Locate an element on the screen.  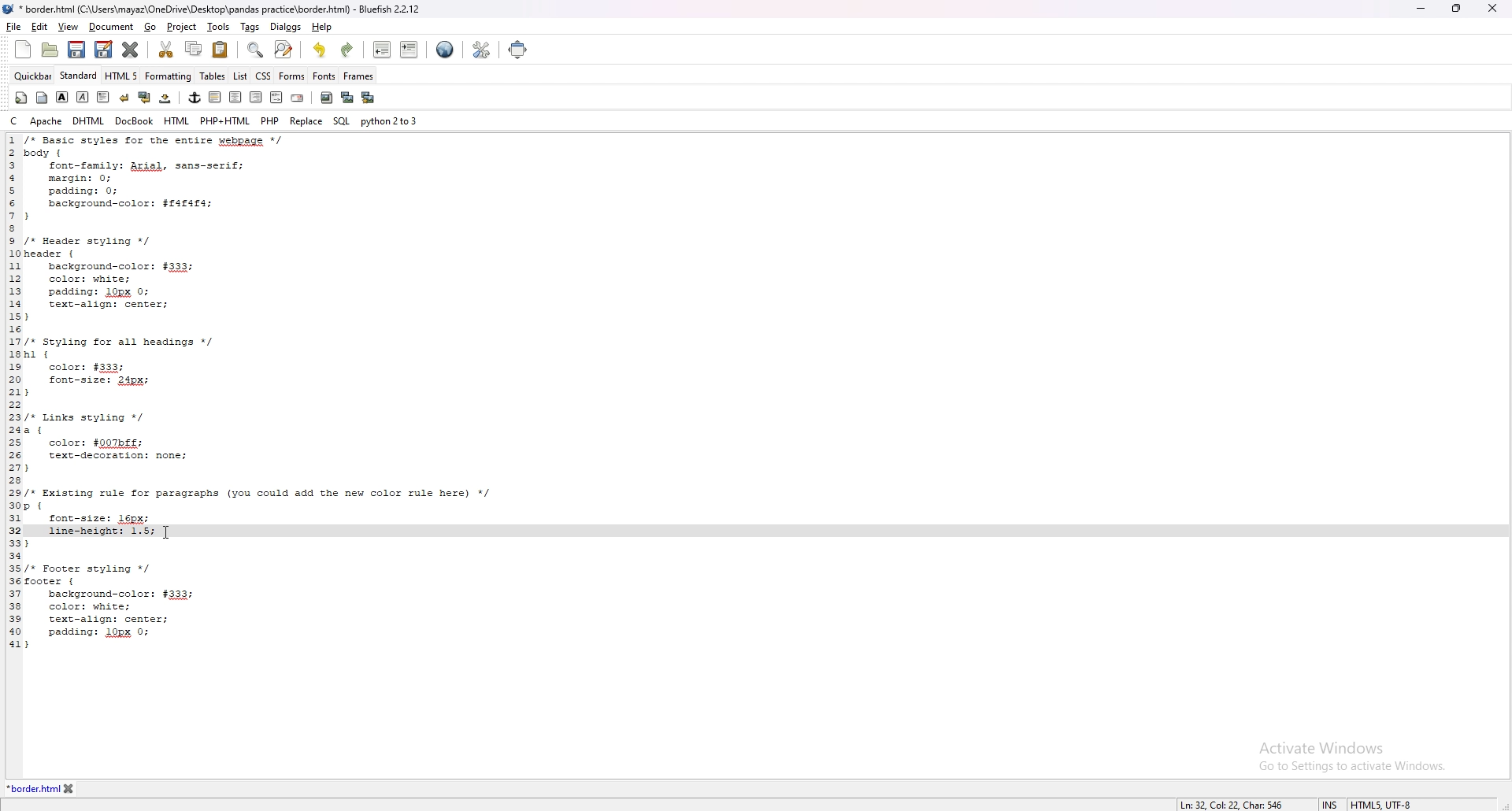
non breaking space is located at coordinates (167, 98).